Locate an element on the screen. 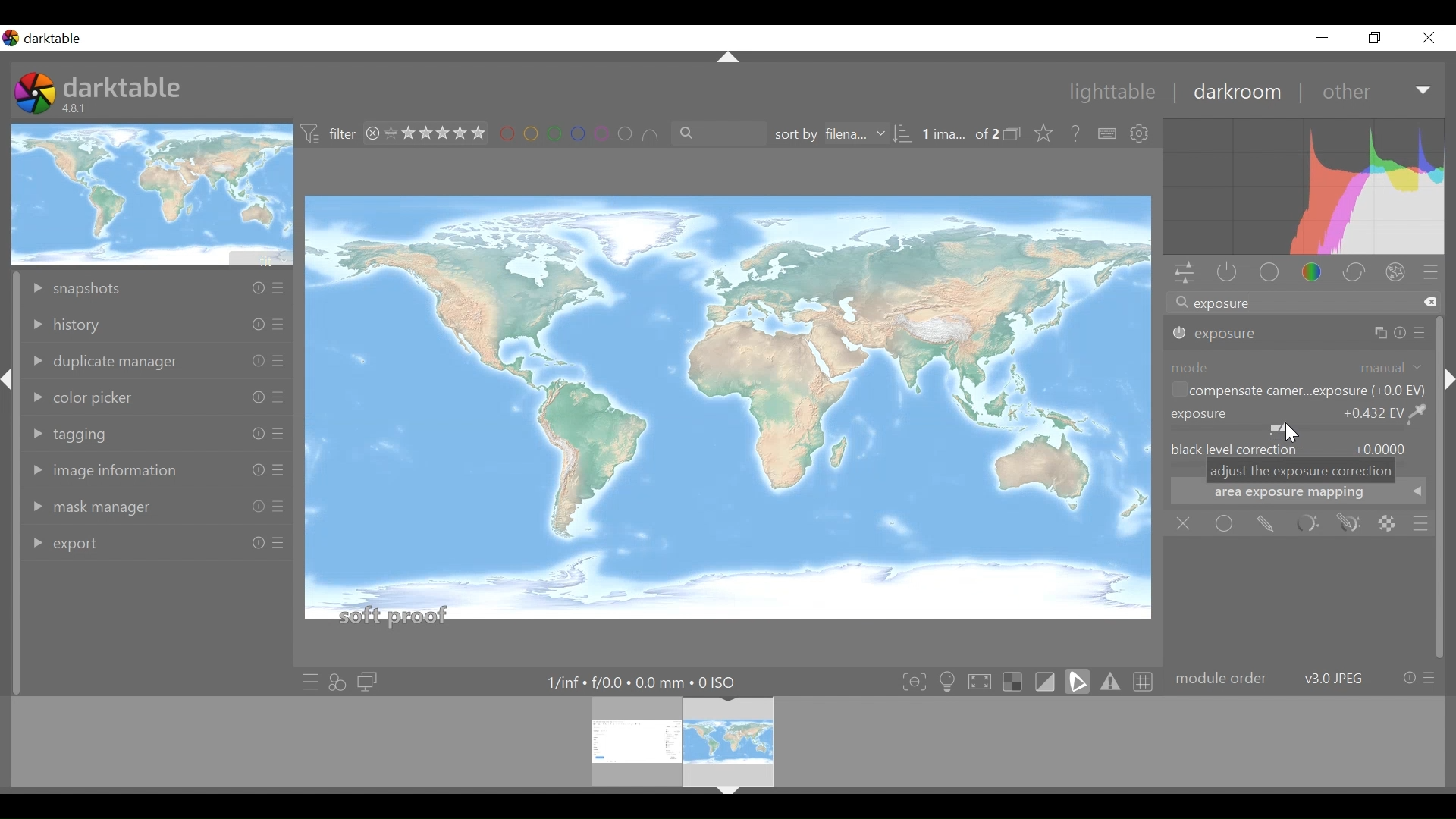   is located at coordinates (253, 507).